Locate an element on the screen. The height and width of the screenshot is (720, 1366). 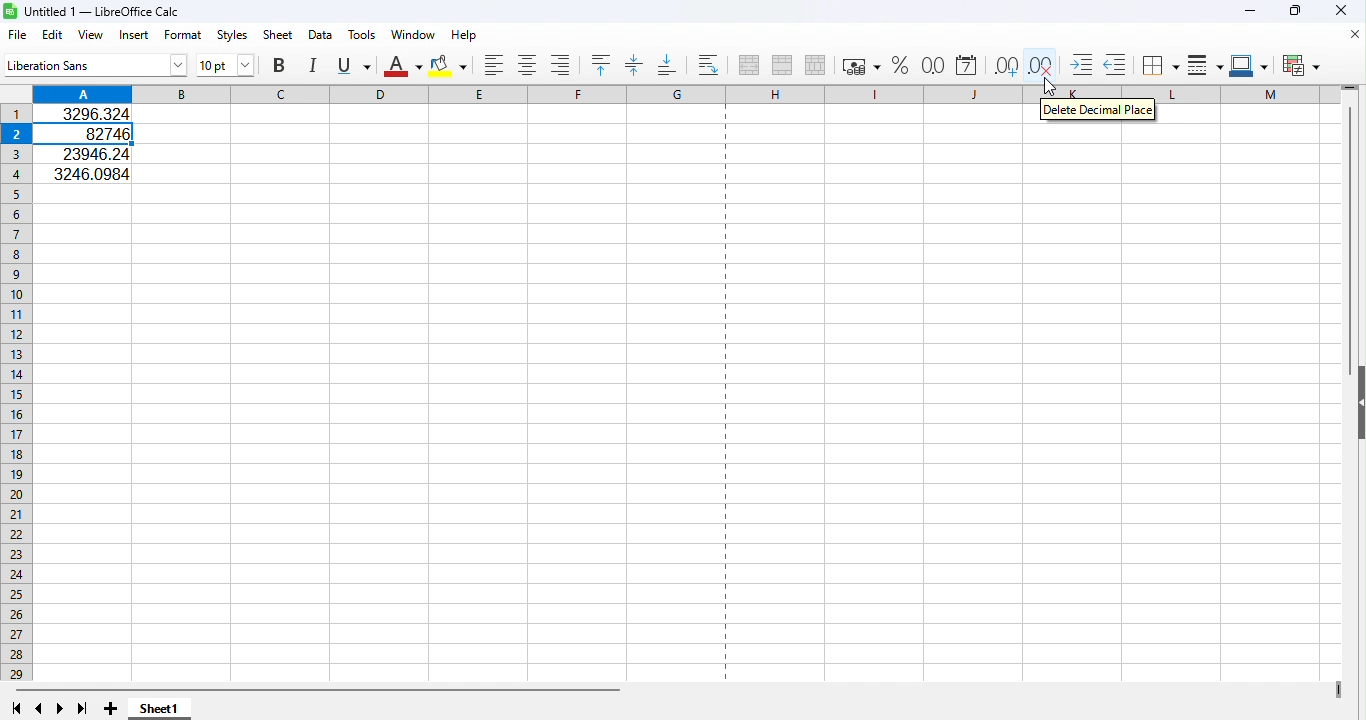
Close is located at coordinates (1344, 13).